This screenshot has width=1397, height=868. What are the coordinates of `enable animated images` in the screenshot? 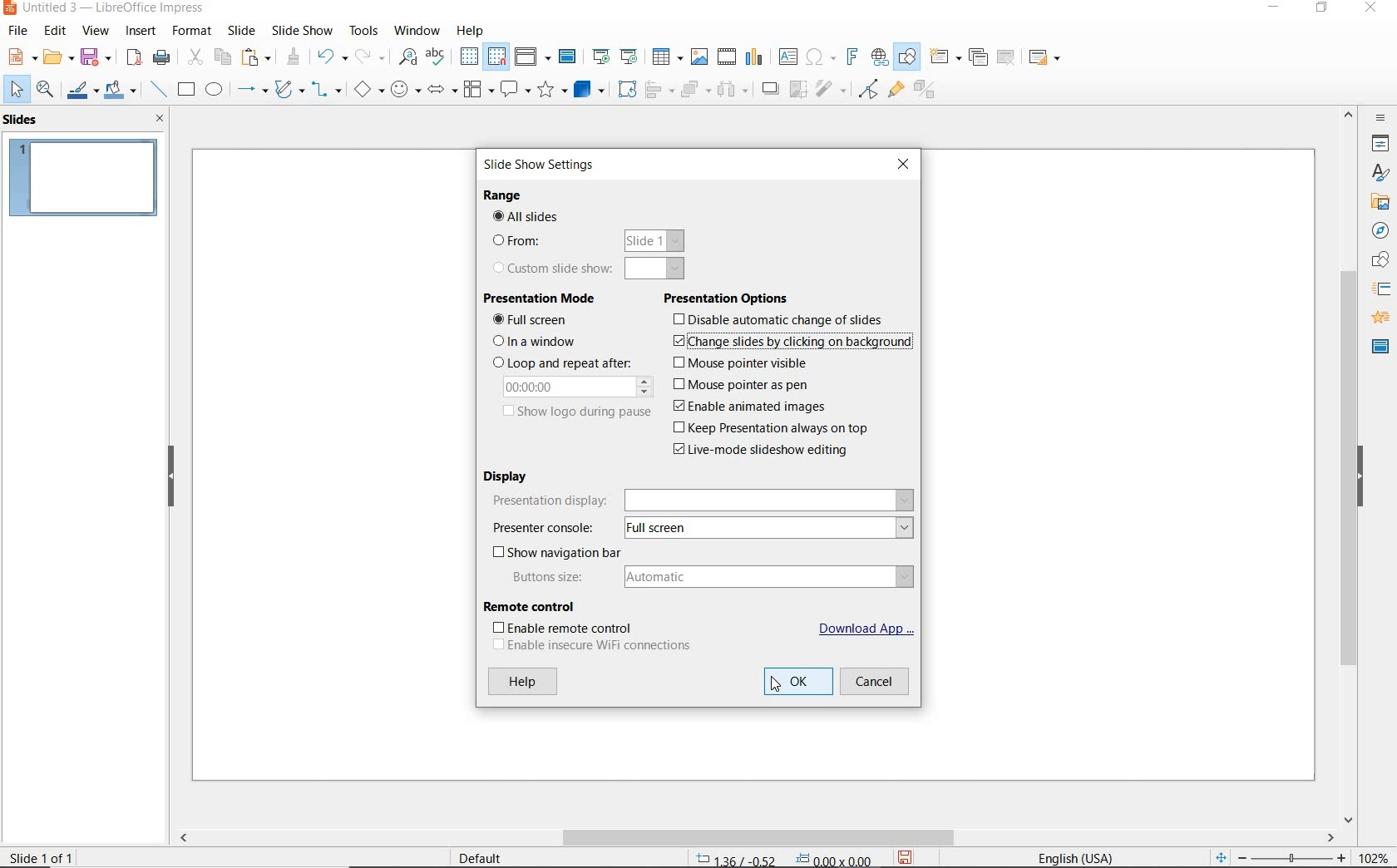 It's located at (752, 407).